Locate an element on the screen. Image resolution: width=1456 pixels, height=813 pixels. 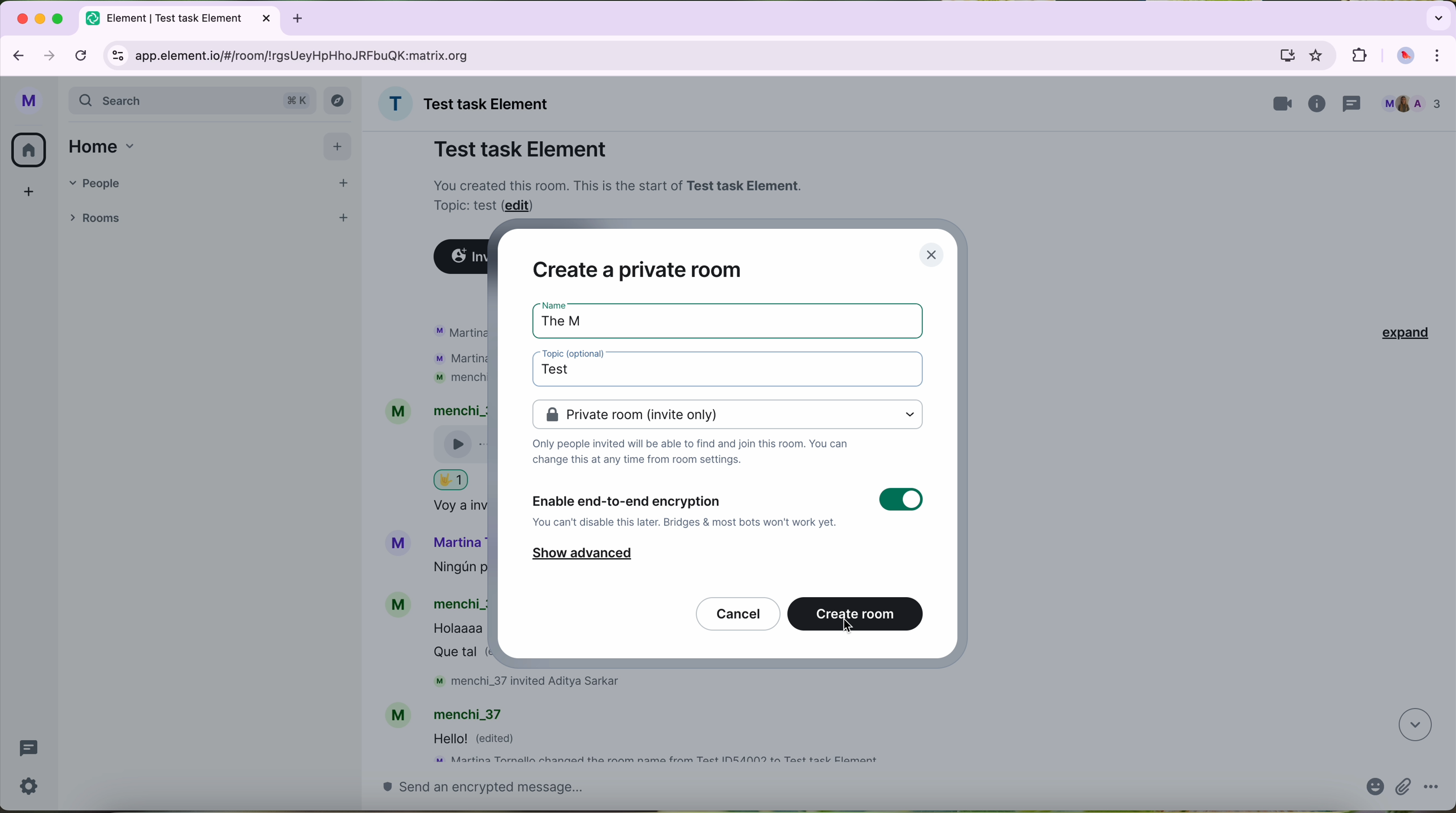
threads is located at coordinates (28, 750).